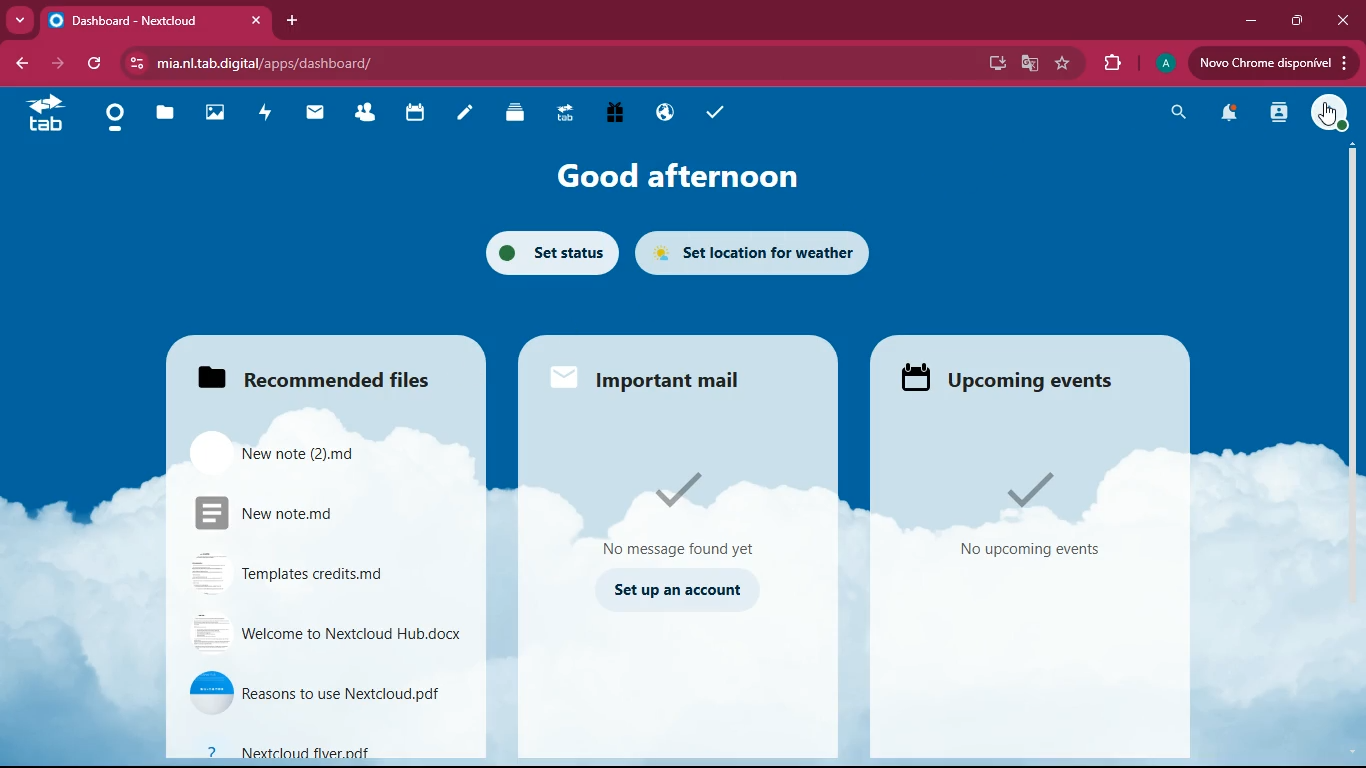 Image resolution: width=1366 pixels, height=768 pixels. What do you see at coordinates (1281, 112) in the screenshot?
I see `activity` at bounding box center [1281, 112].